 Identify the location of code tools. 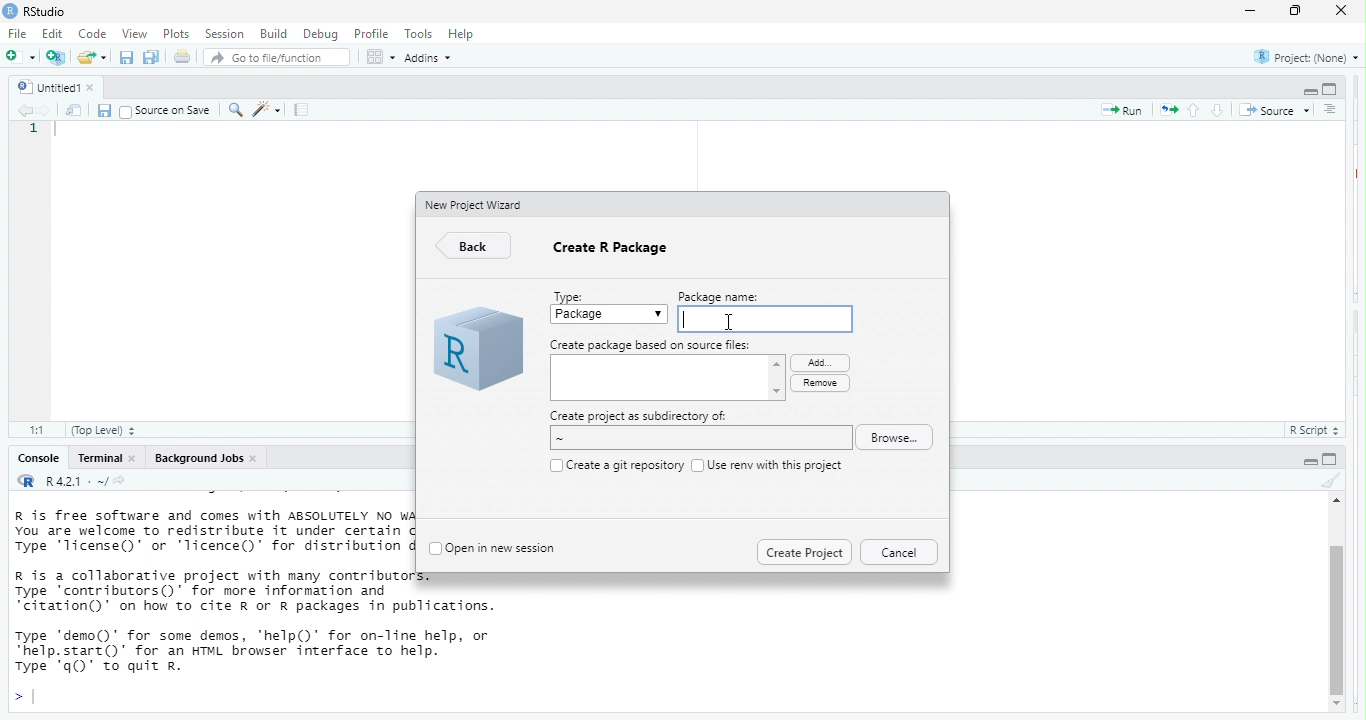
(269, 110).